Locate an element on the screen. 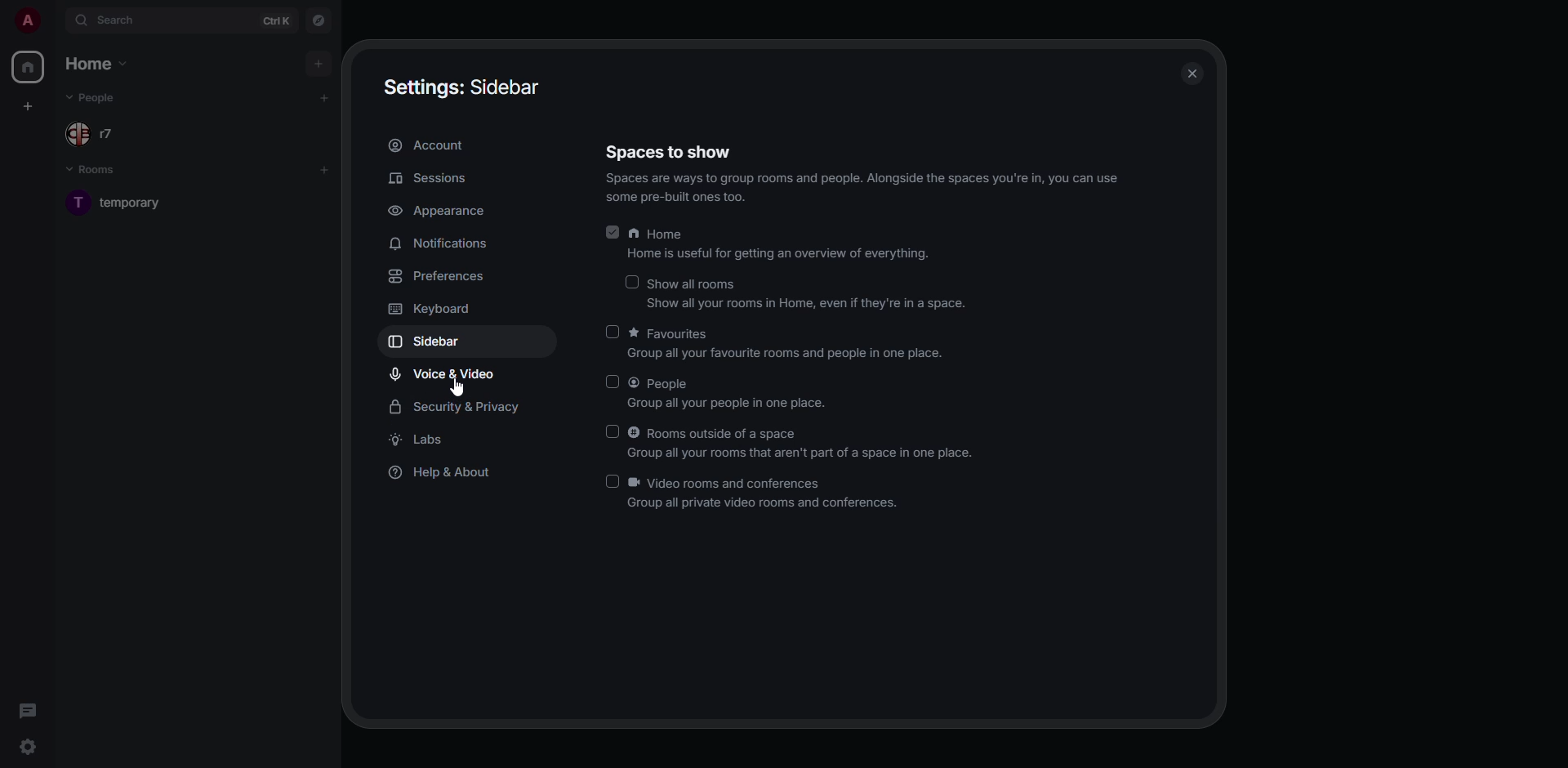  security & privacy is located at coordinates (458, 405).